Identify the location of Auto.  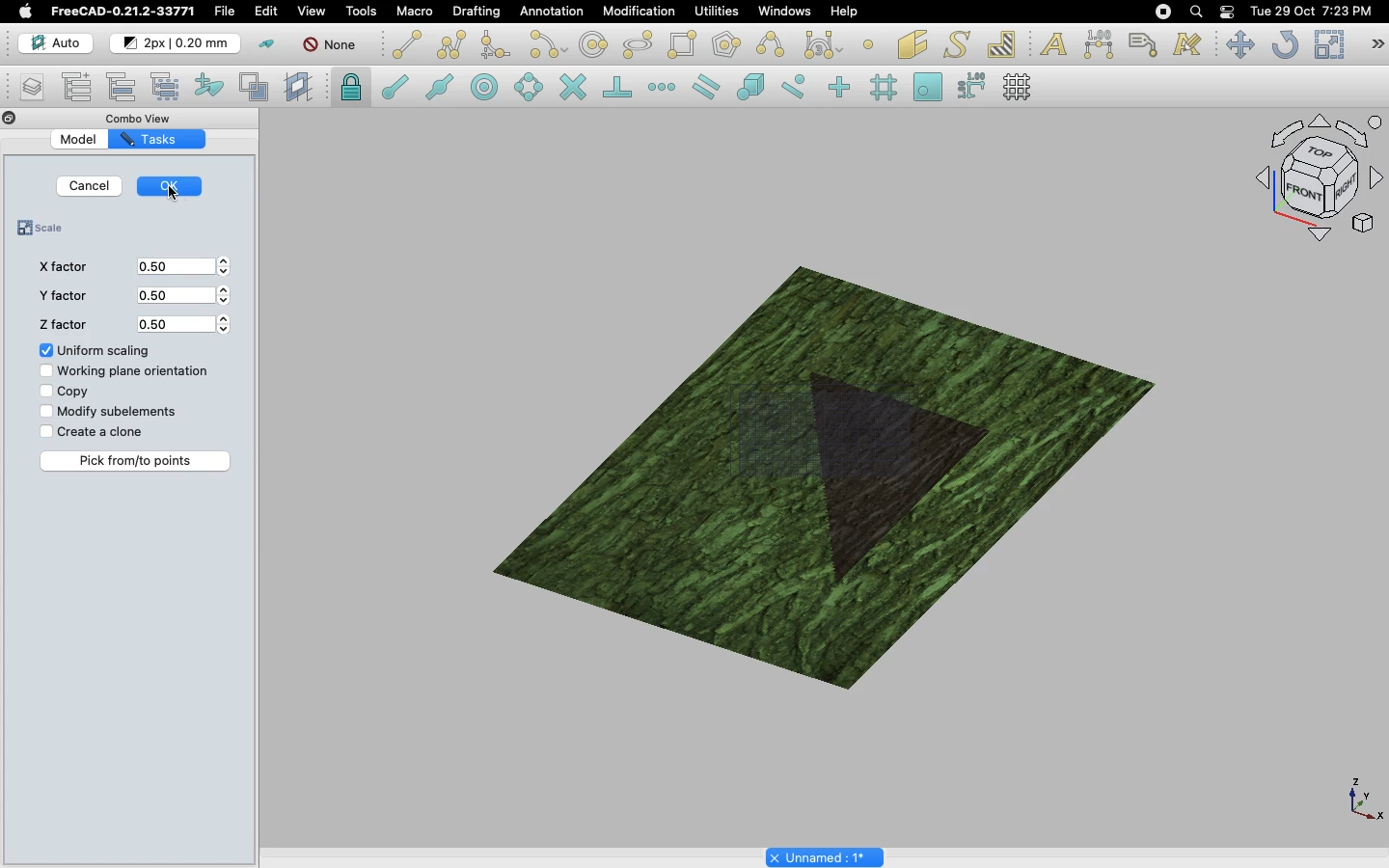
(49, 42).